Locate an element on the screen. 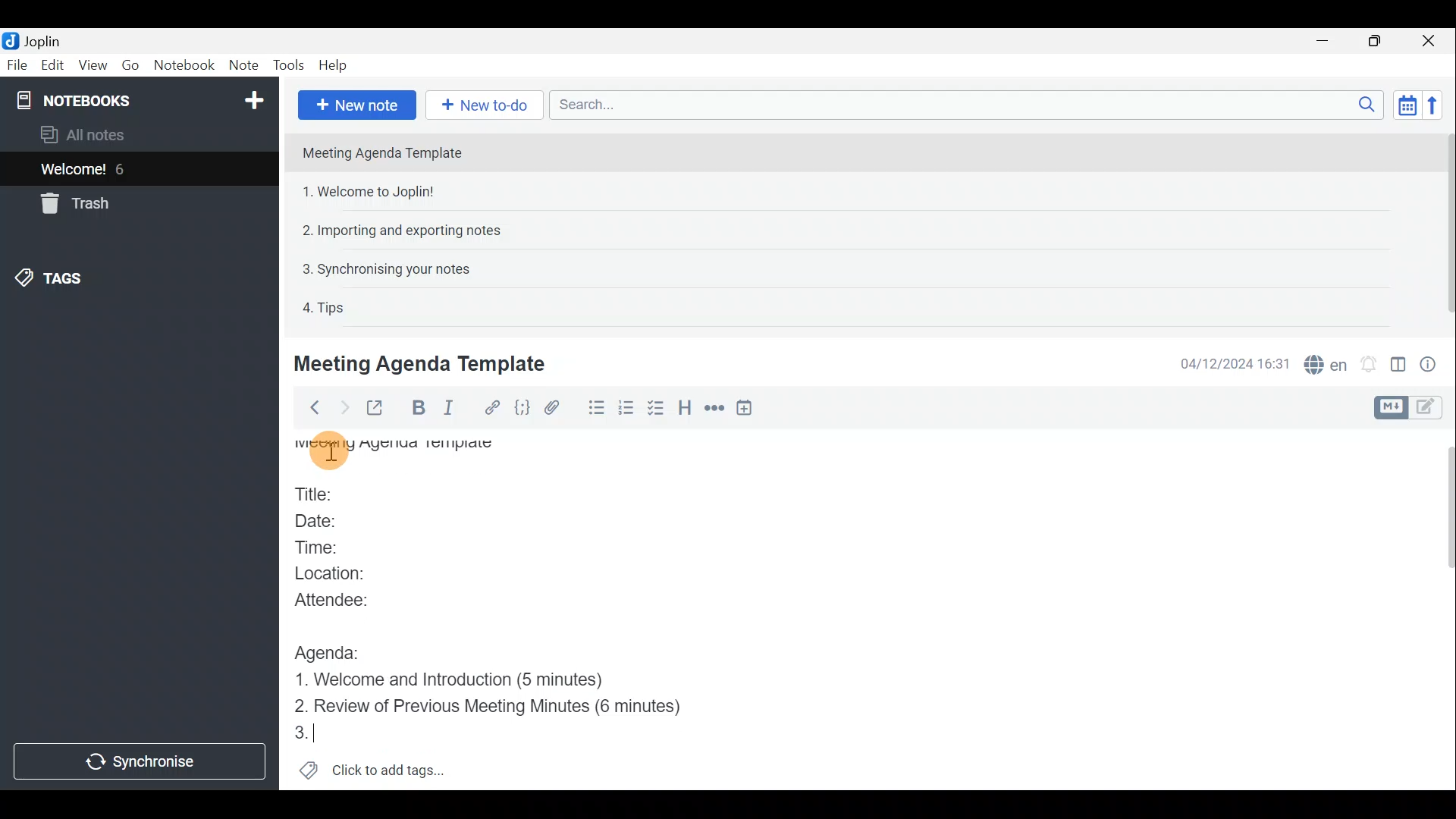 The width and height of the screenshot is (1456, 819). Notebooks is located at coordinates (142, 99).